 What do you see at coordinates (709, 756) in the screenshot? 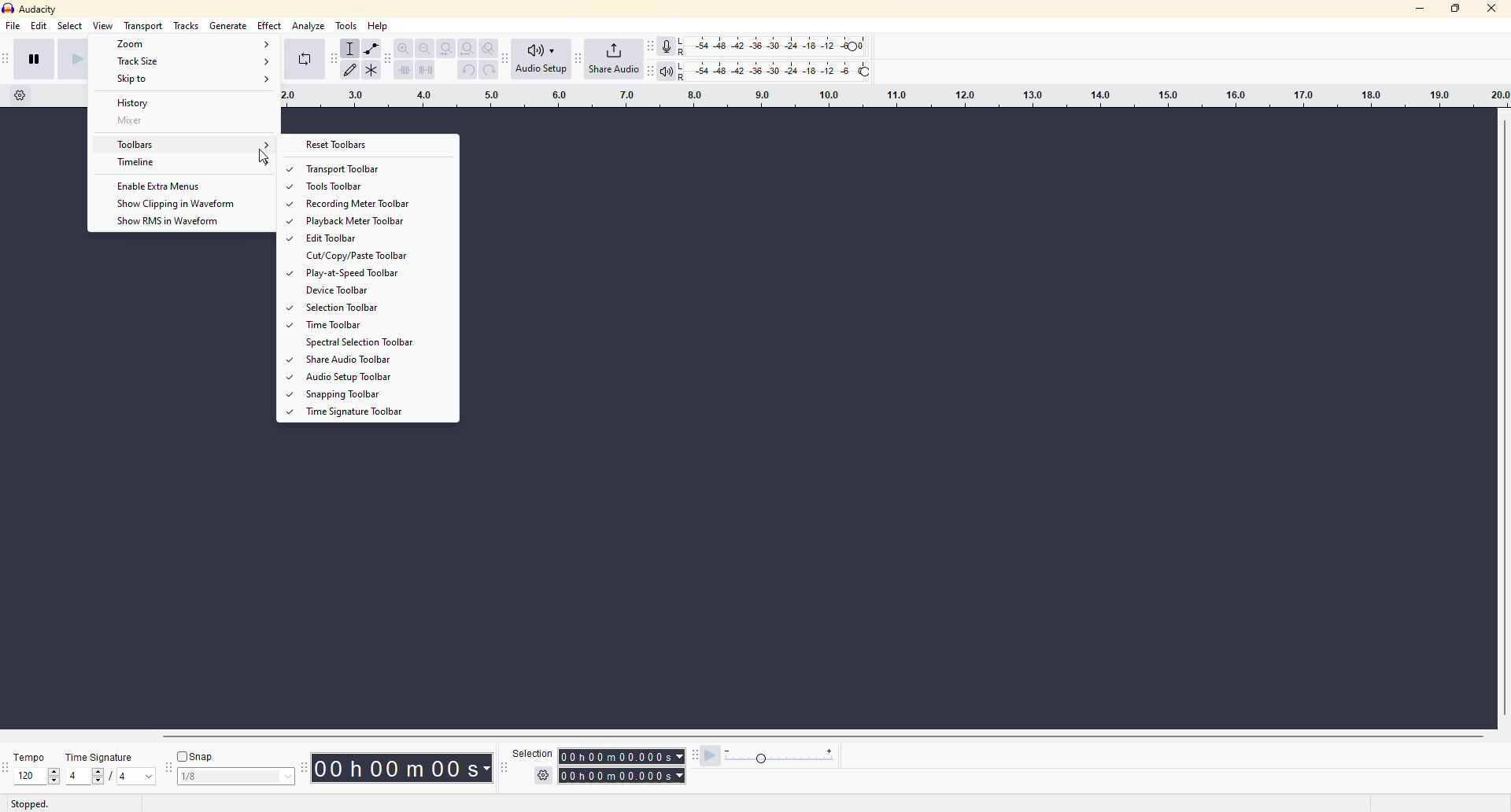
I see `play at speed` at bounding box center [709, 756].